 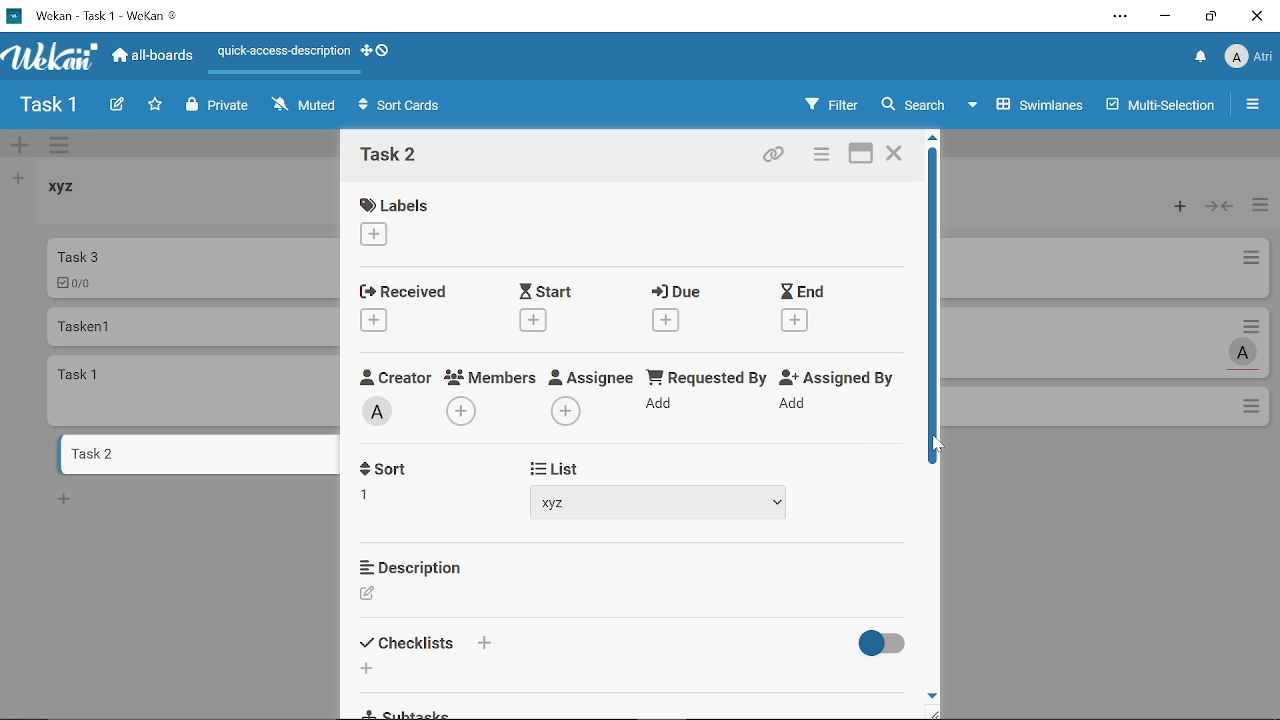 I want to click on Multilanes, so click(x=1163, y=107).